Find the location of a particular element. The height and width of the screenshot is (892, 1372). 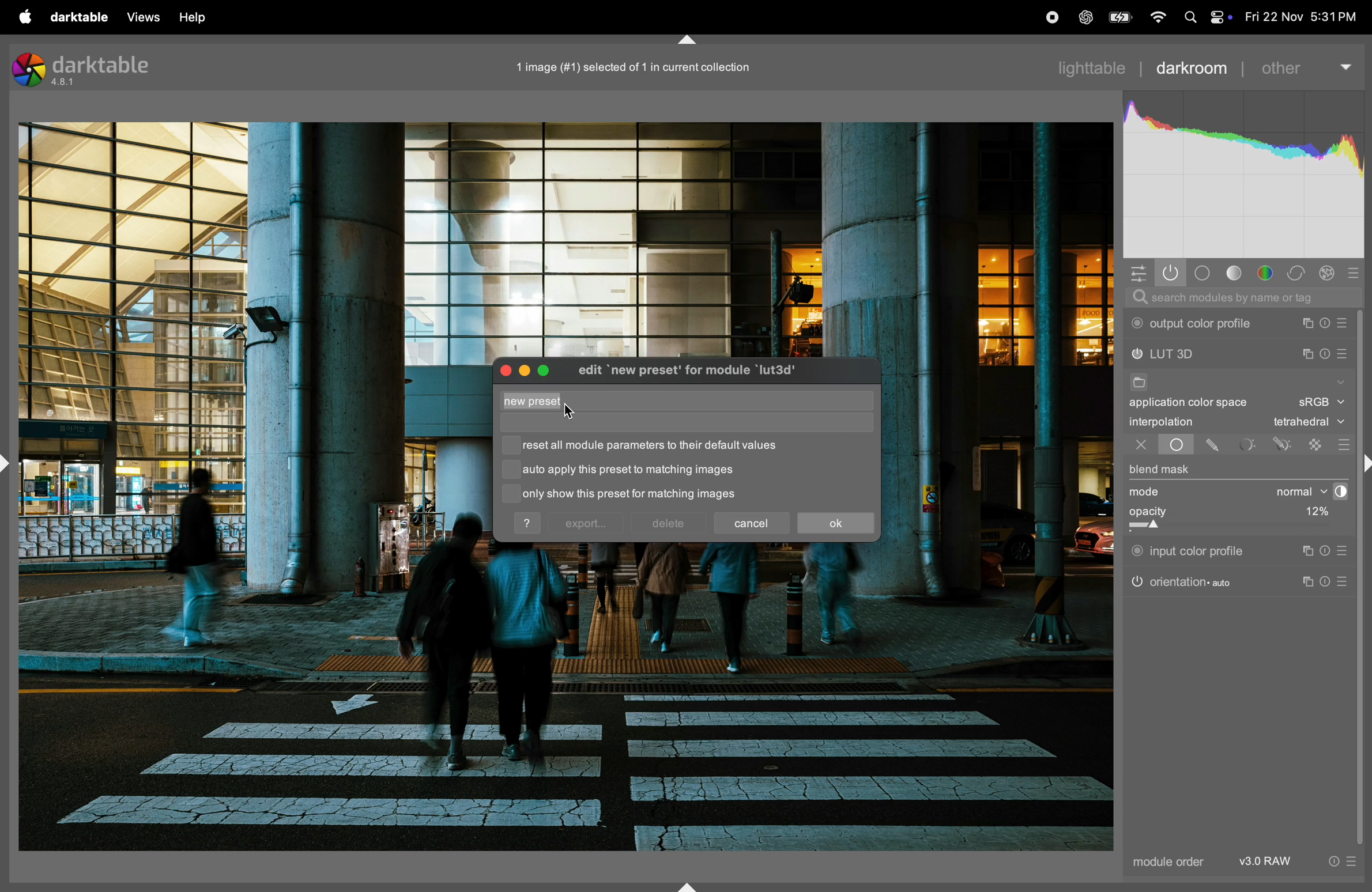

color is located at coordinates (1269, 274).